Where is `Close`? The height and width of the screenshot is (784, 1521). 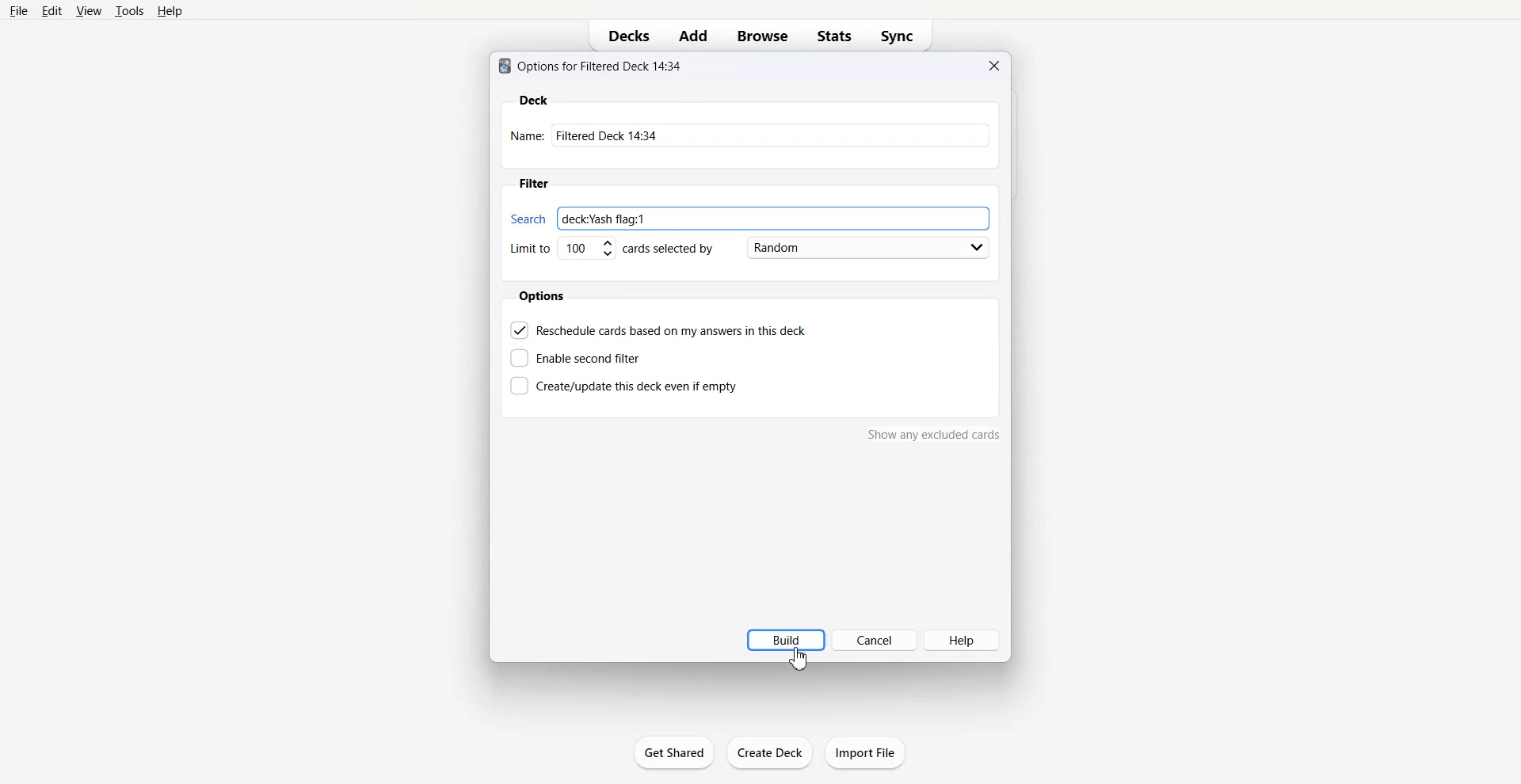 Close is located at coordinates (993, 66).